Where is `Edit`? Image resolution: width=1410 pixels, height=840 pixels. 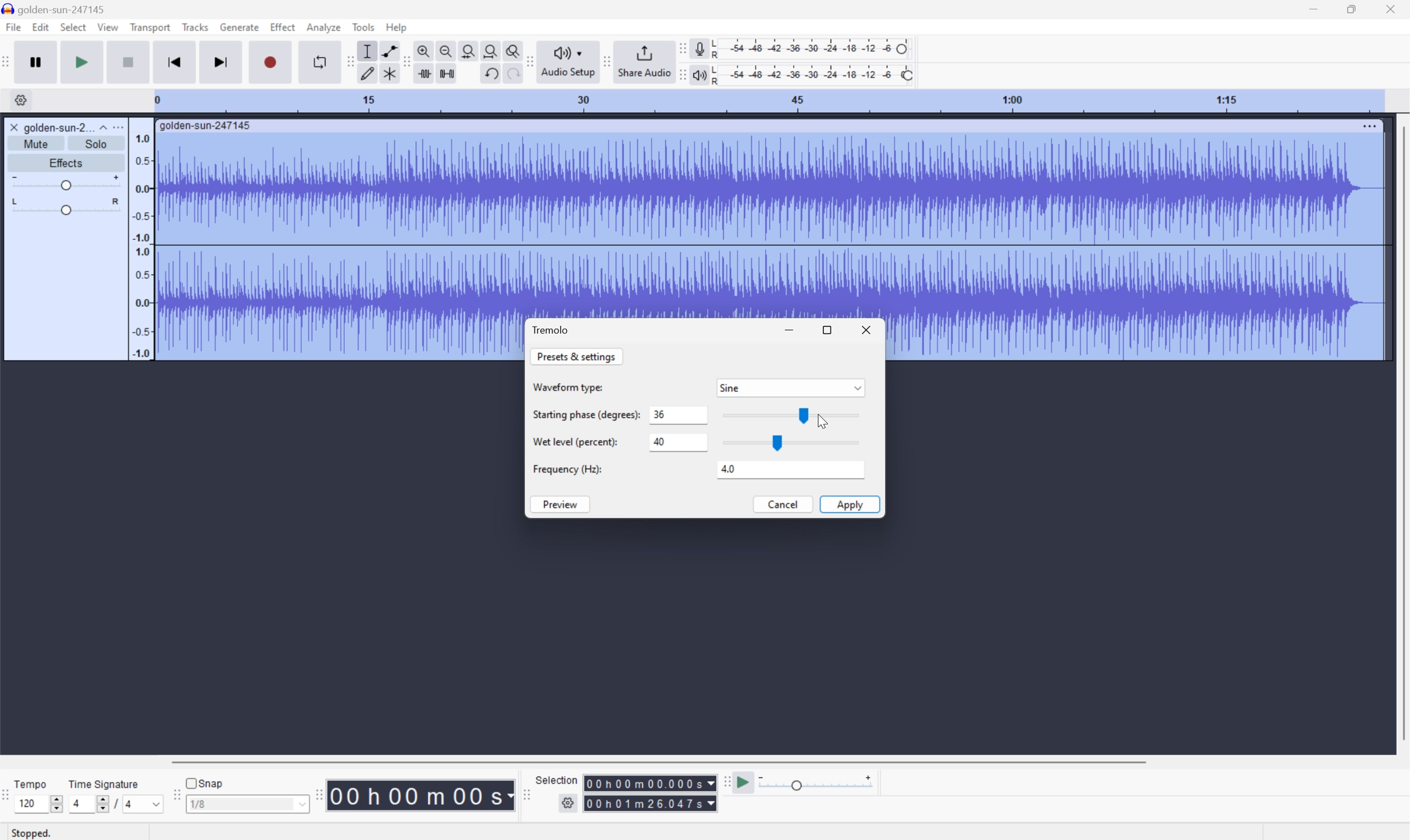
Edit is located at coordinates (40, 27).